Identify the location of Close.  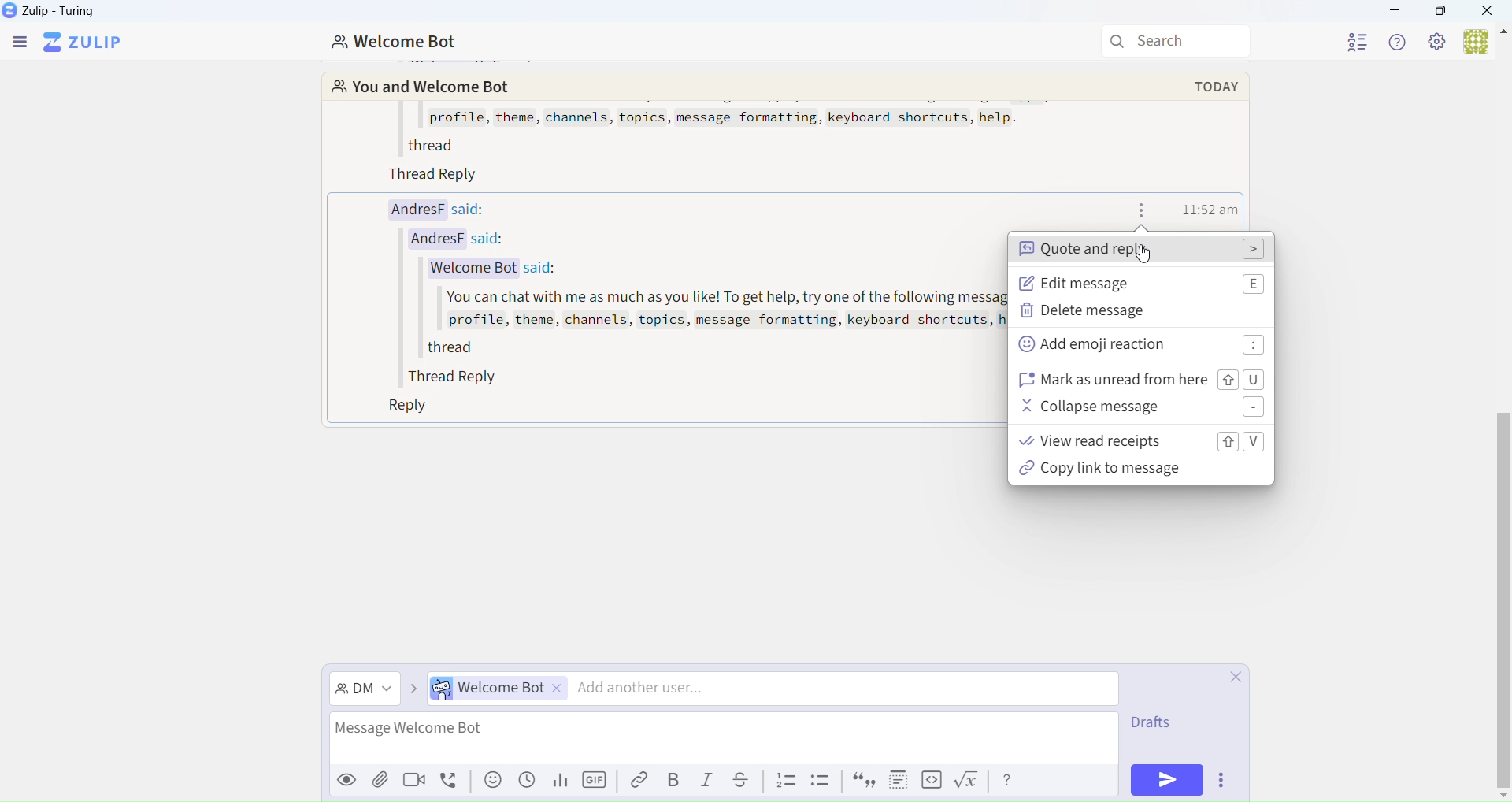
(1488, 12).